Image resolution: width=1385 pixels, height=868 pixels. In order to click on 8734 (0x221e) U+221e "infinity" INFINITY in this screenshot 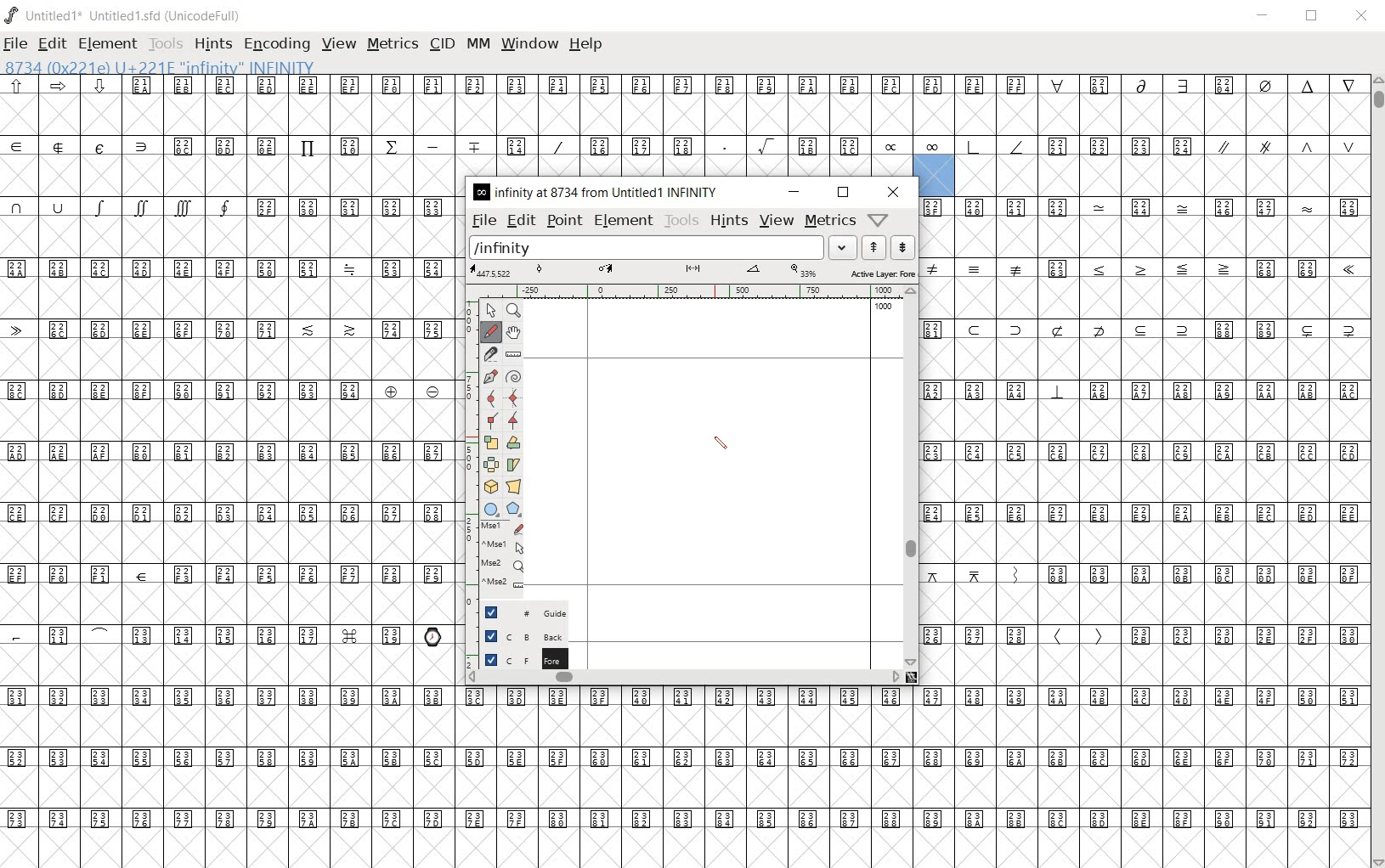, I will do `click(161, 66)`.